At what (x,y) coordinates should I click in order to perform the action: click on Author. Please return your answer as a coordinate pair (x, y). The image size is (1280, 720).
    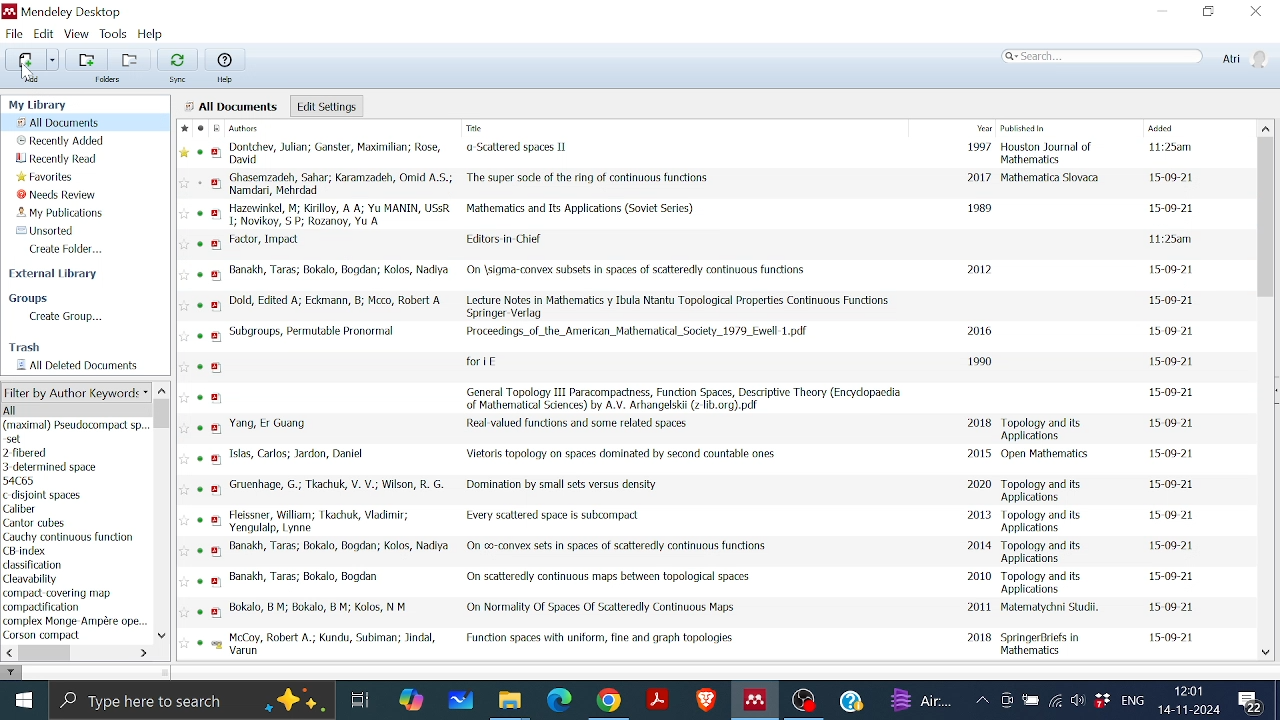
    Looking at the image, I should click on (319, 606).